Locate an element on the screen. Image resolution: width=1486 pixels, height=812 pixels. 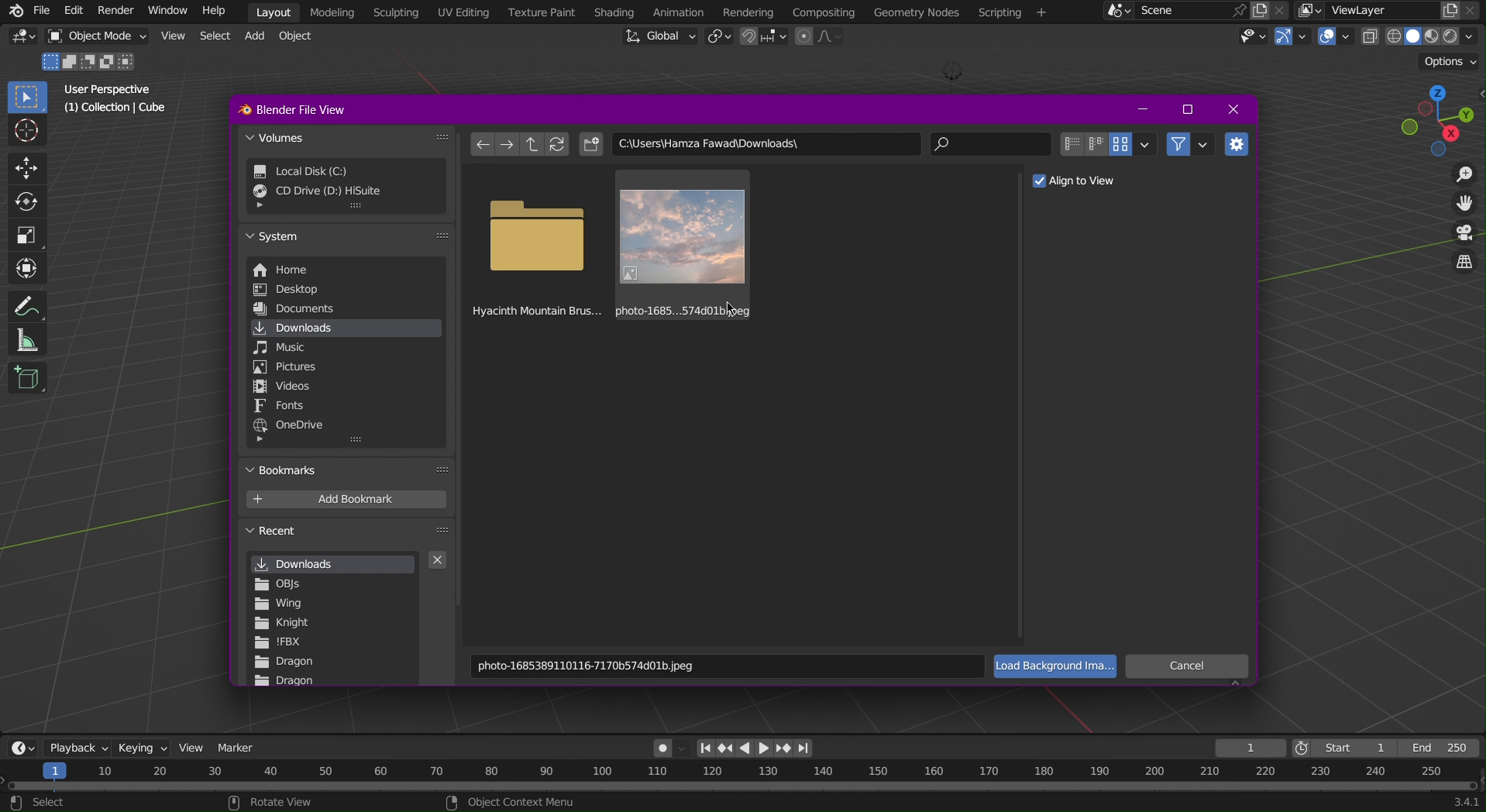
Settings is located at coordinates (1238, 146).